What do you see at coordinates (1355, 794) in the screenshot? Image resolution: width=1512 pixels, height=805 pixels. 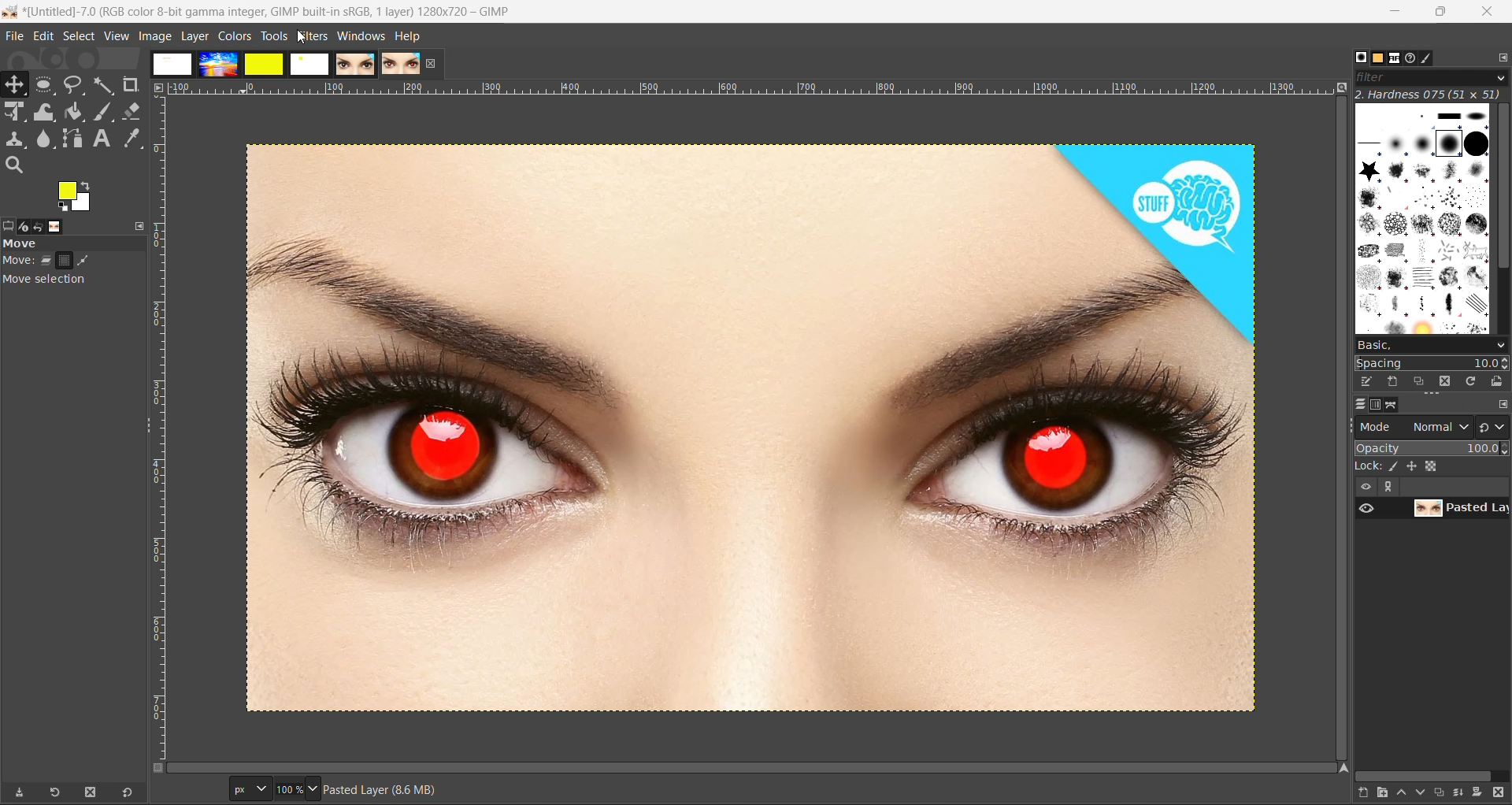 I see `create a new layer` at bounding box center [1355, 794].